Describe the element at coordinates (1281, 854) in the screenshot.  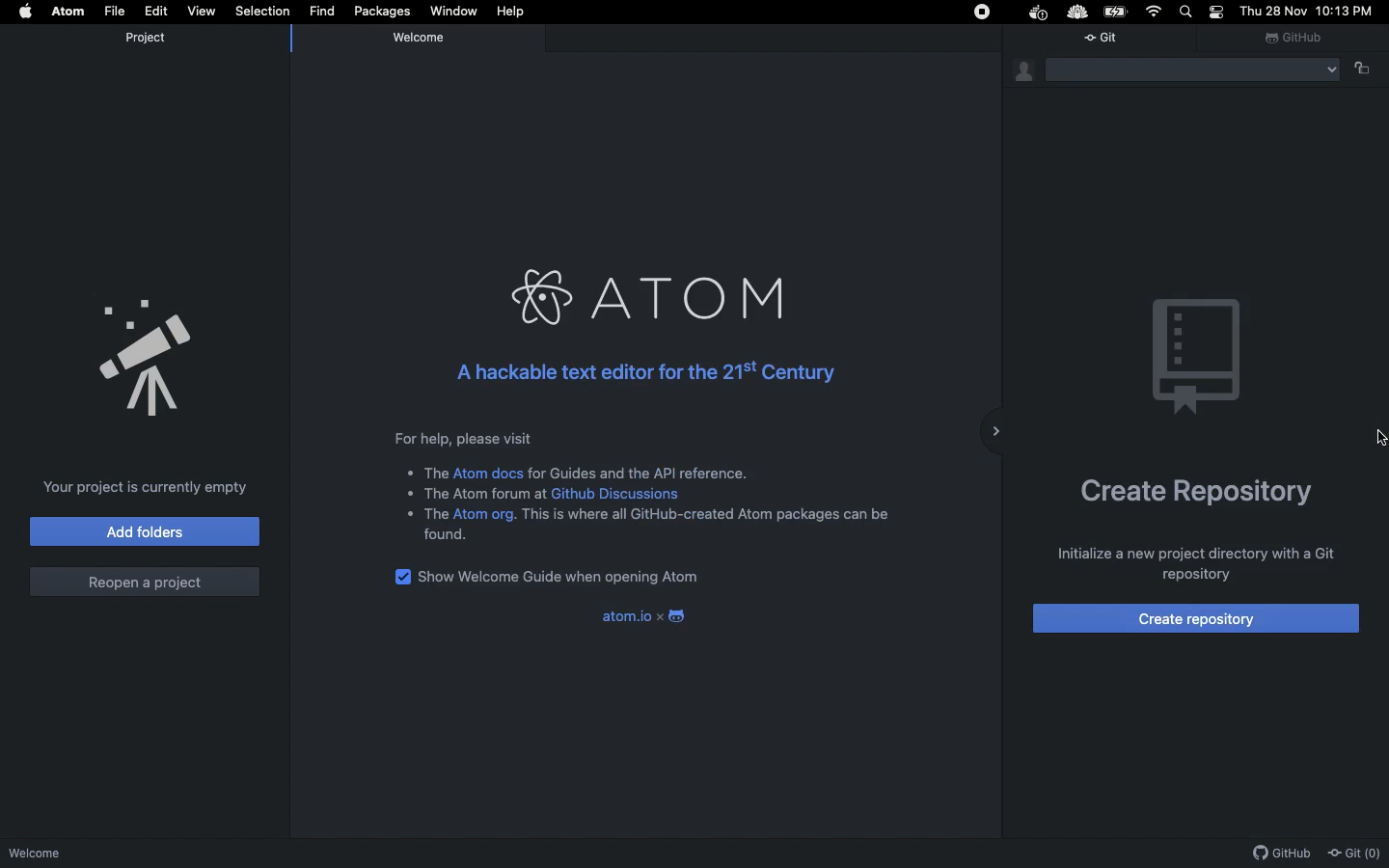
I see `Github` at that location.